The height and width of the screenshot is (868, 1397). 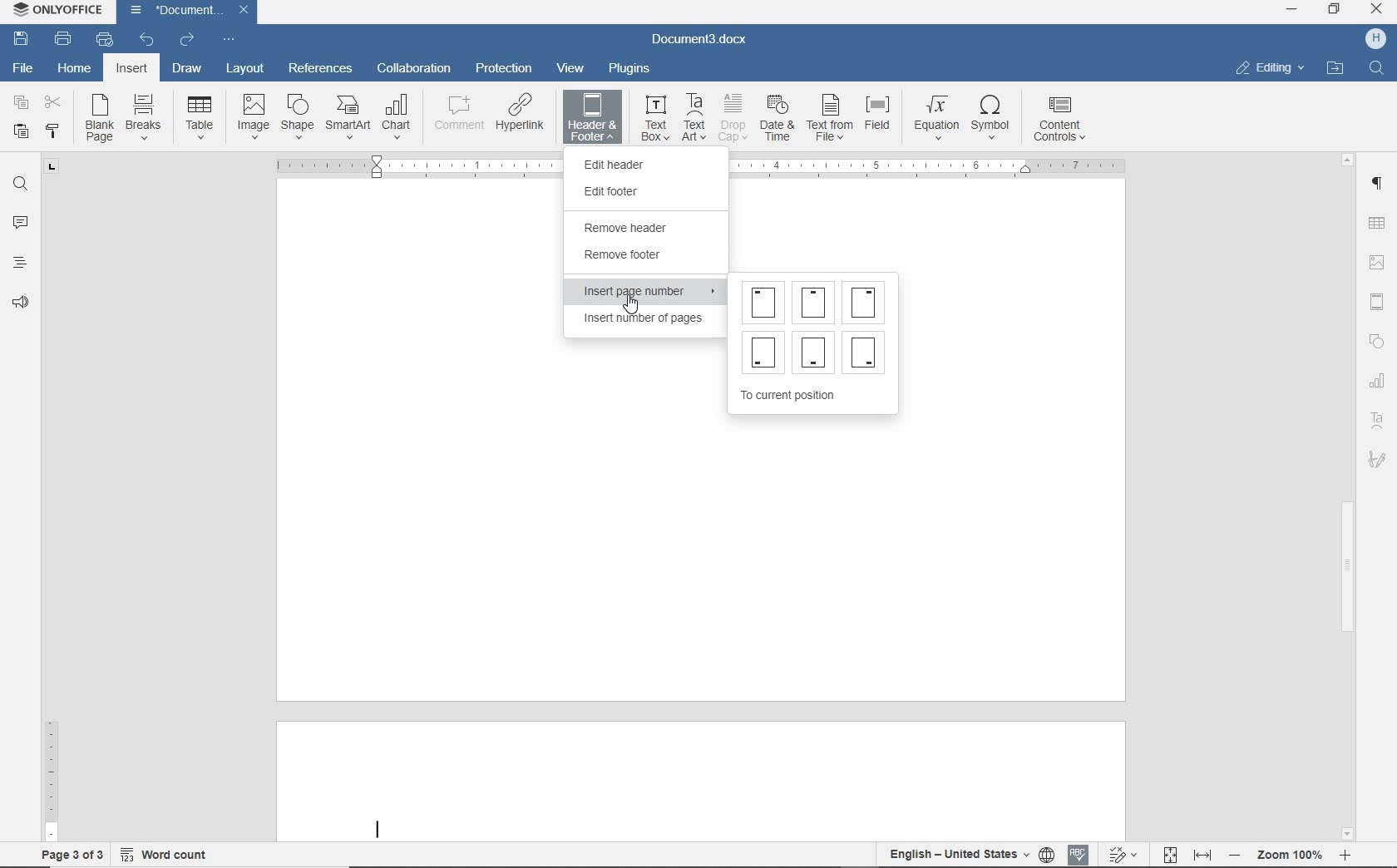 What do you see at coordinates (56, 11) in the screenshot?
I see `OnlyOffice` at bounding box center [56, 11].